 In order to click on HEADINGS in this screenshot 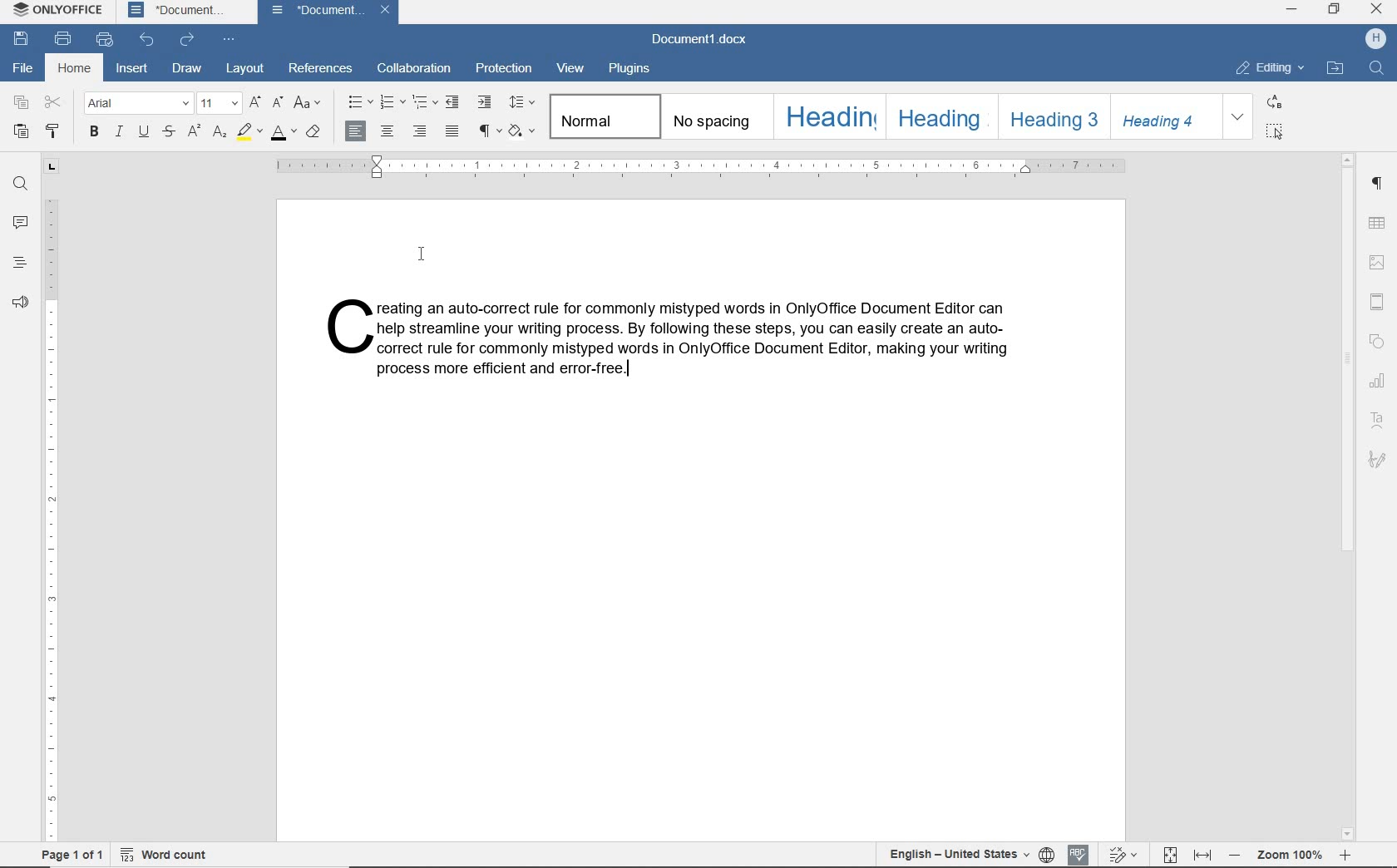, I will do `click(20, 263)`.